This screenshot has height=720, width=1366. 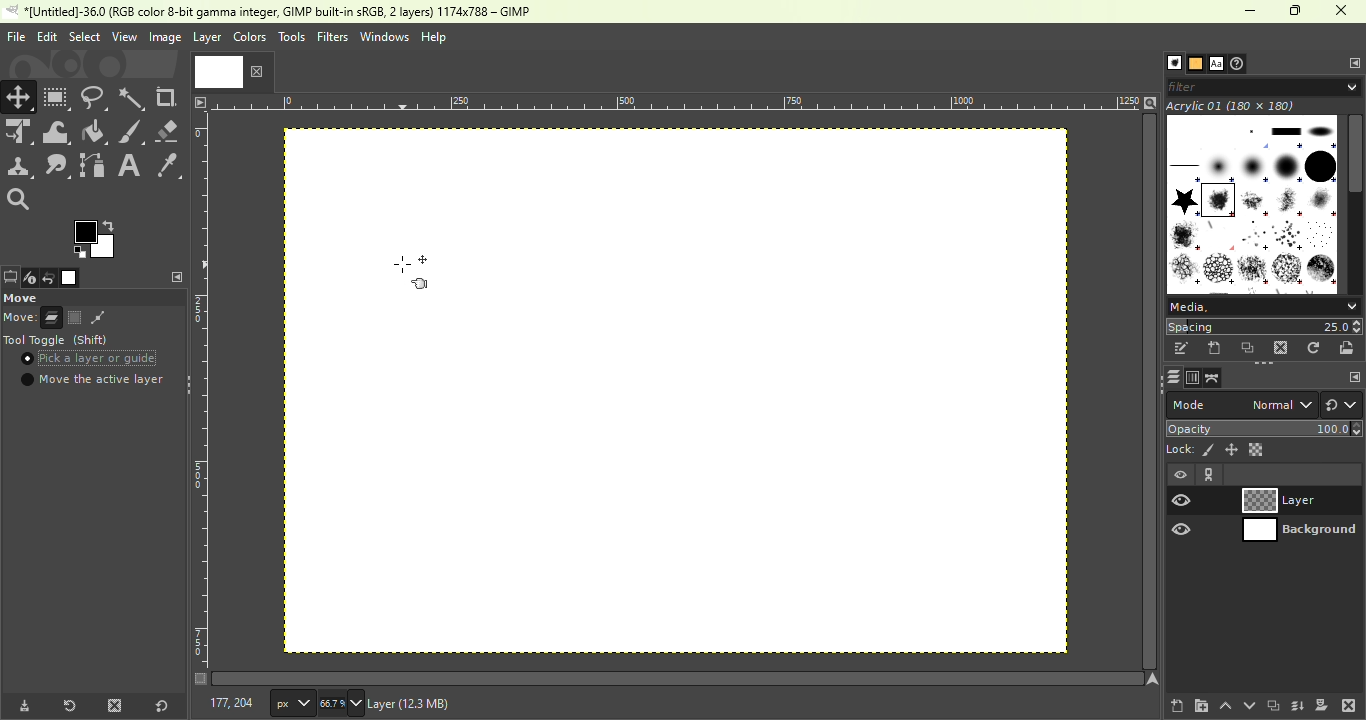 I want to click on Create a new brush, so click(x=1215, y=349).